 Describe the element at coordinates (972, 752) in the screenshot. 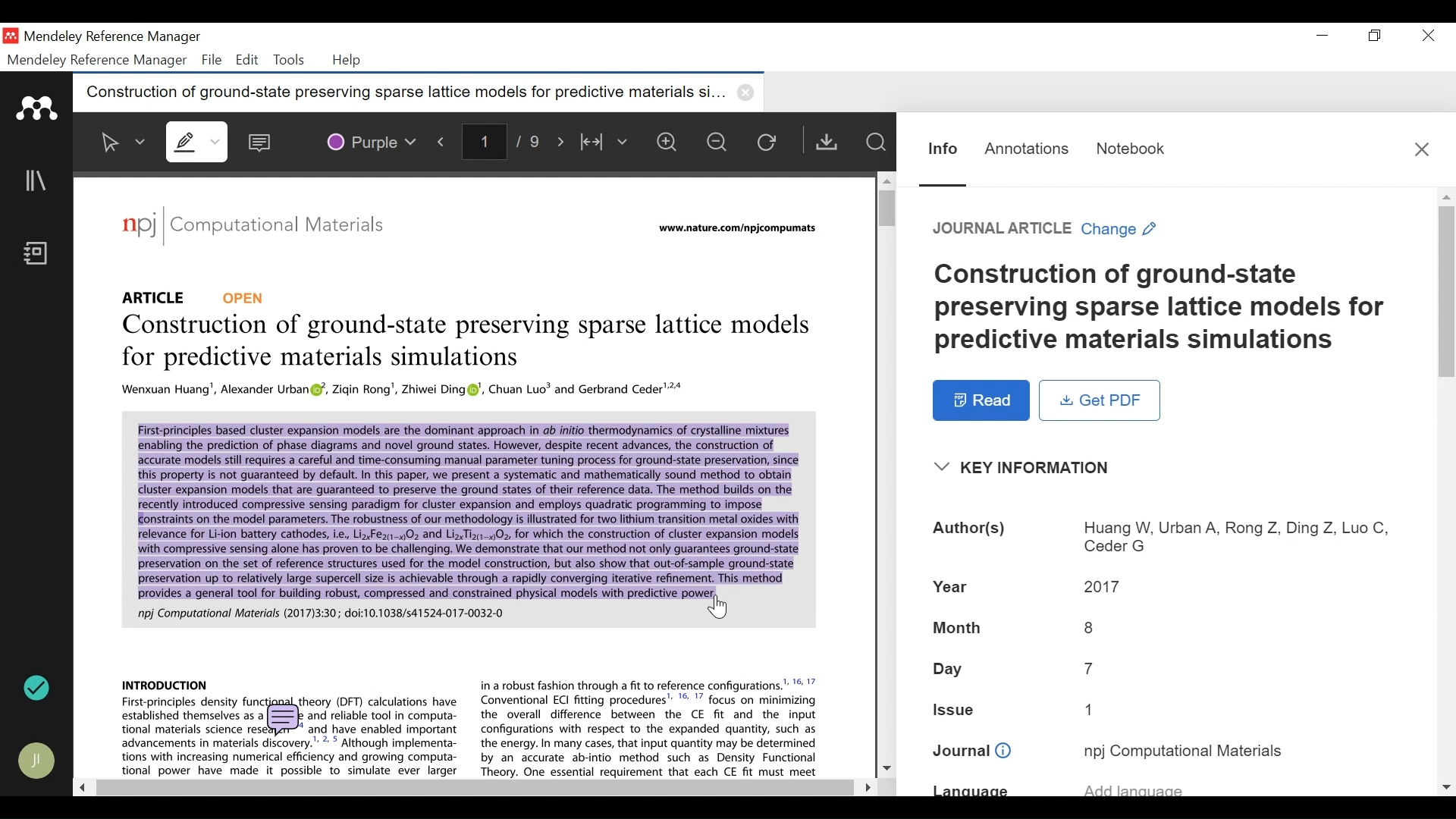

I see `Journal` at that location.